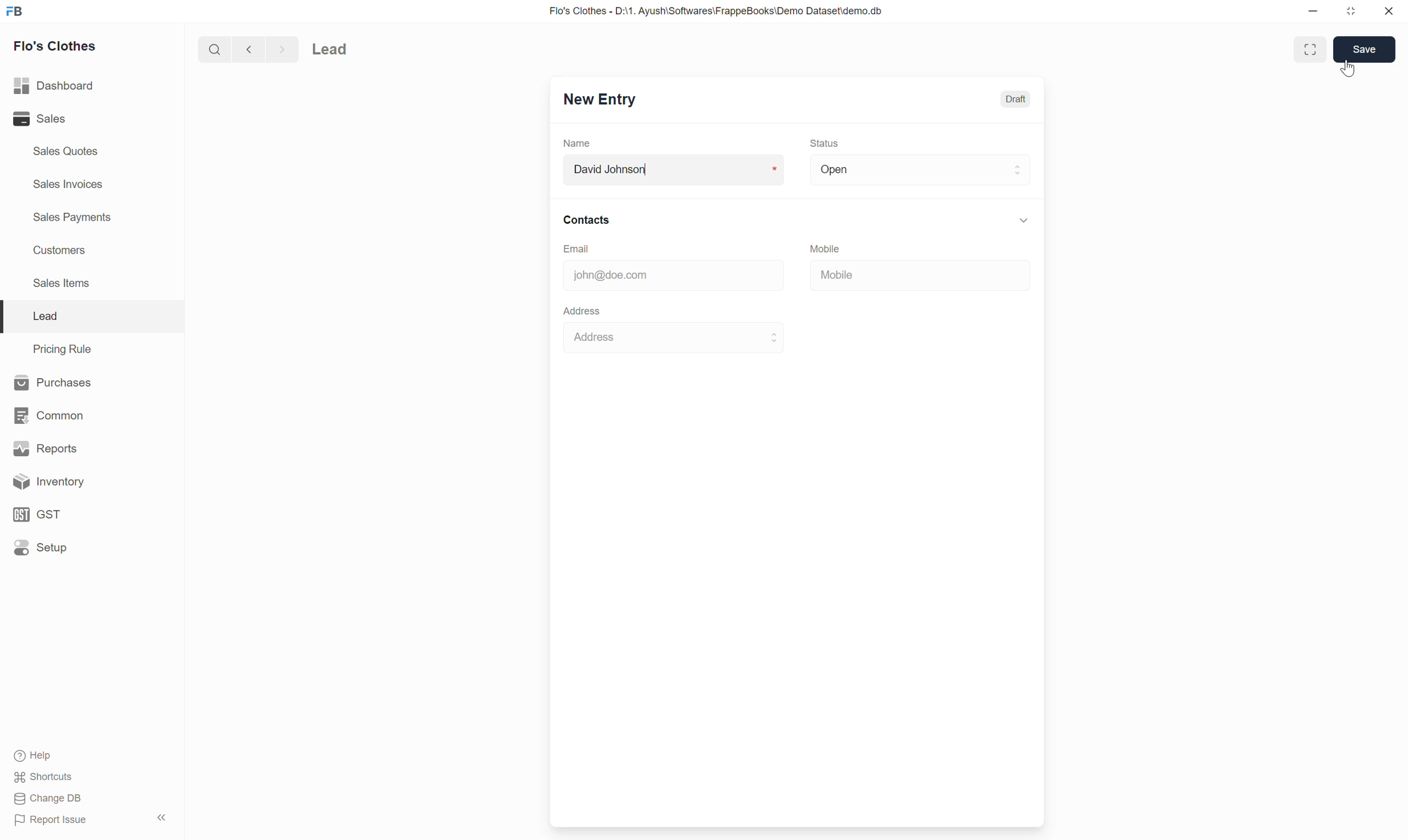 This screenshot has height=840, width=1408. I want to click on Flo's Clothes - D:\1. Ayush\Softwares\FrappeBooks\Demo Dataset\demo.db, so click(717, 10).